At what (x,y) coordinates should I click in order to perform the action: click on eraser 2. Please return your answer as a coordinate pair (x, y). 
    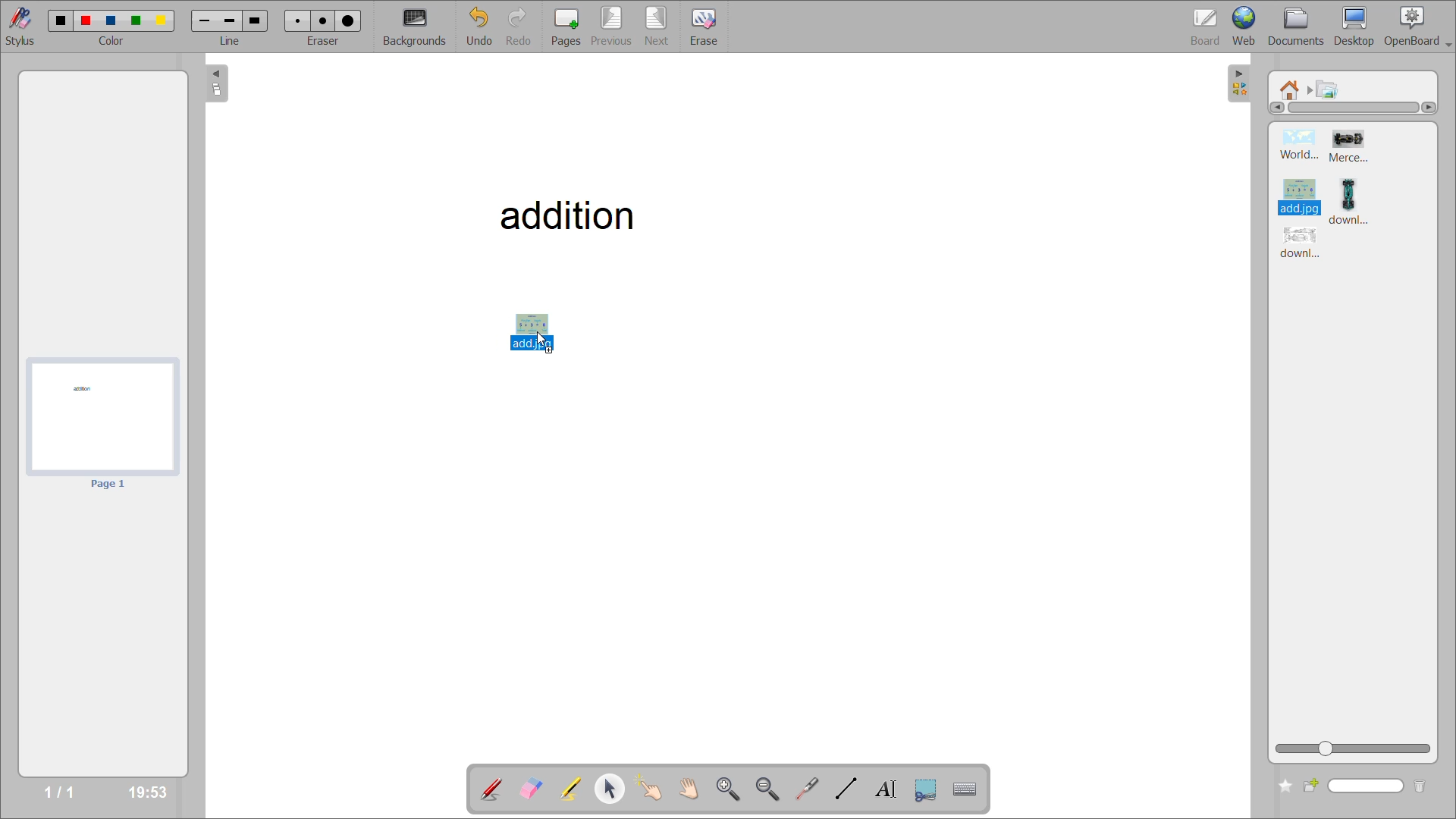
    Looking at the image, I should click on (319, 20).